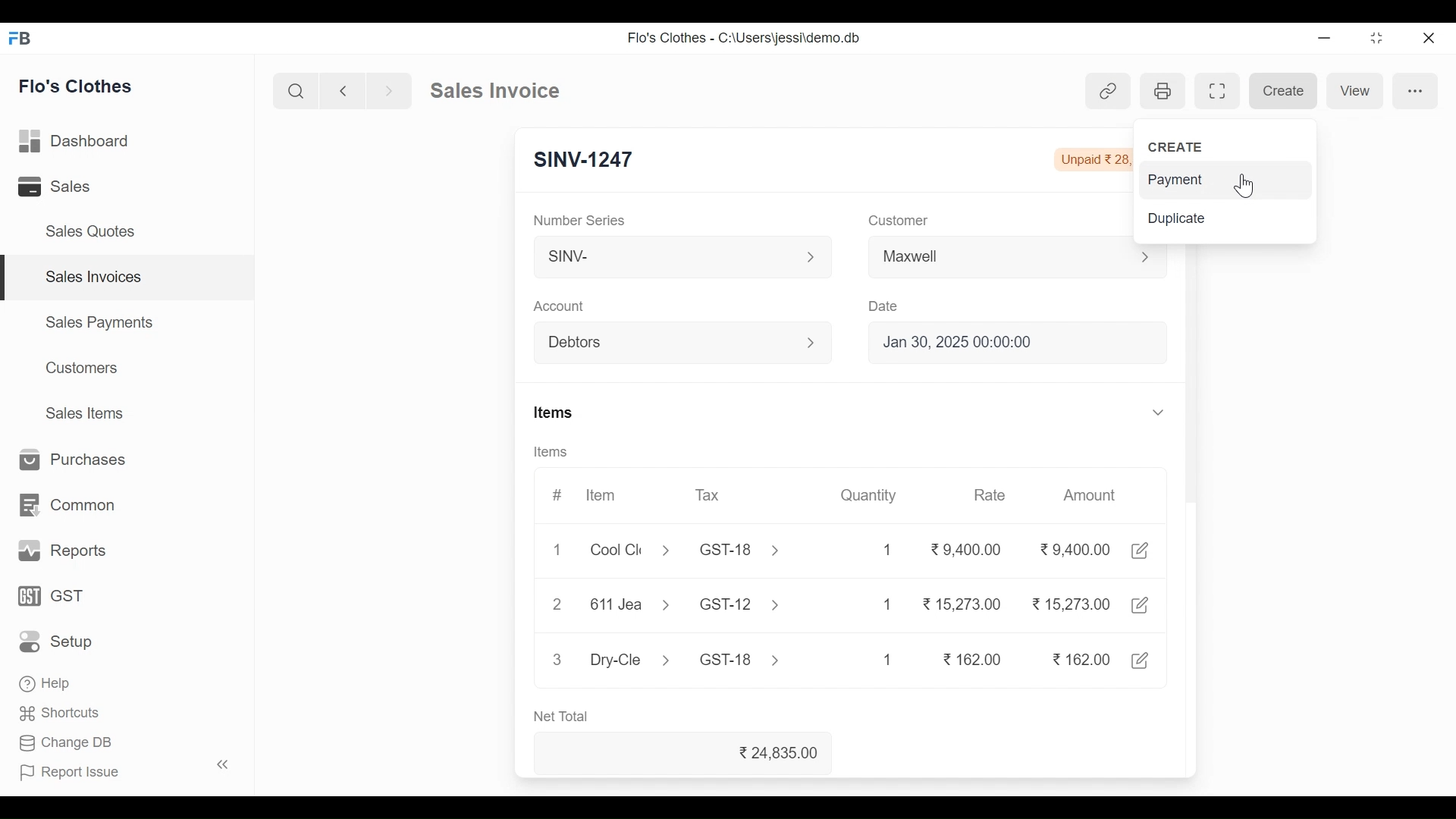 This screenshot has height=819, width=1456. What do you see at coordinates (681, 657) in the screenshot?
I see `Dry-Cle > GST-18 >` at bounding box center [681, 657].